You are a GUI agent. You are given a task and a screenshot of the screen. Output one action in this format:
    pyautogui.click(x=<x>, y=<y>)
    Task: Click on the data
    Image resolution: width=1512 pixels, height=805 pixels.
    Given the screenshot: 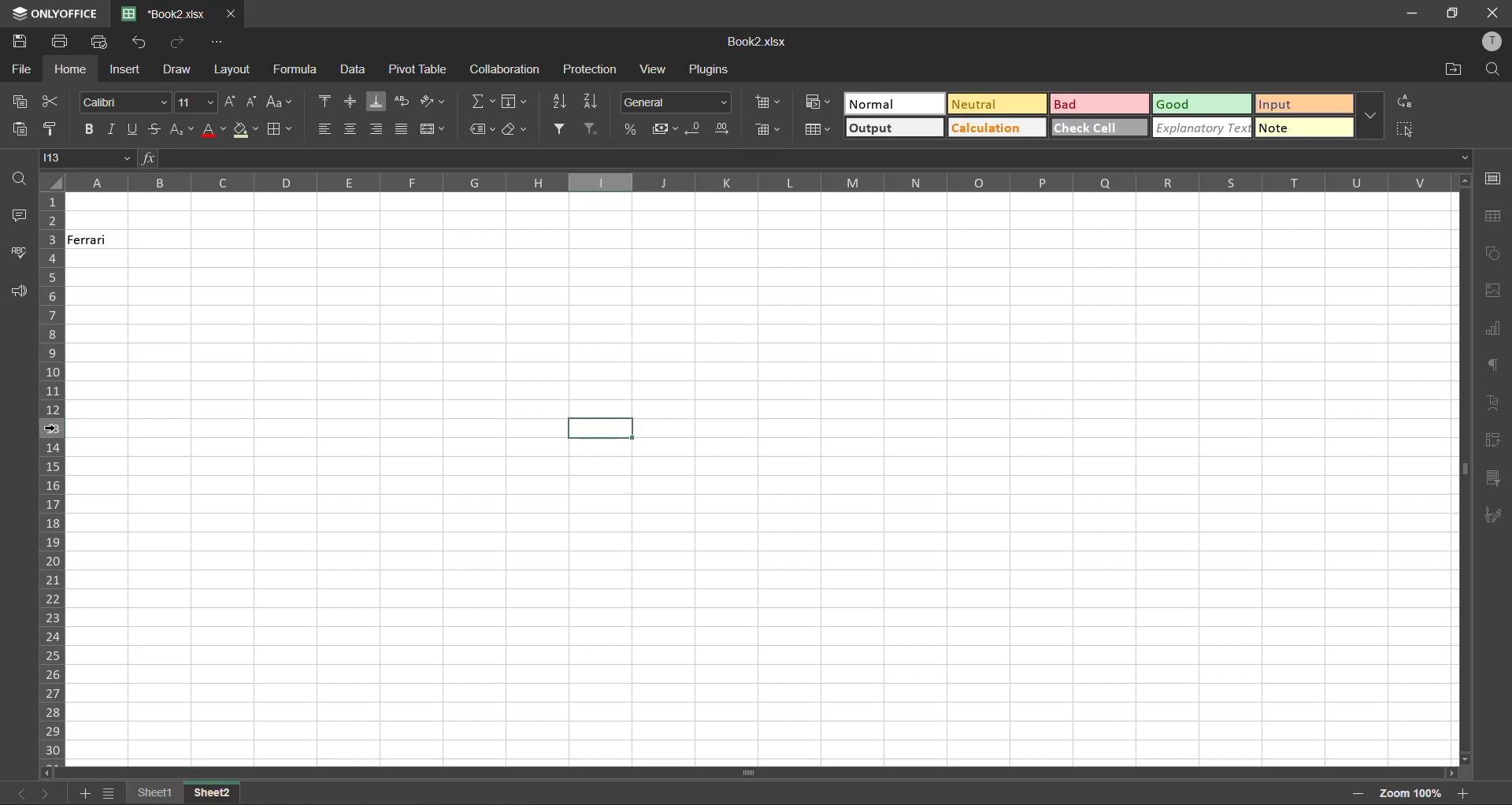 What is the action you would take?
    pyautogui.click(x=350, y=70)
    